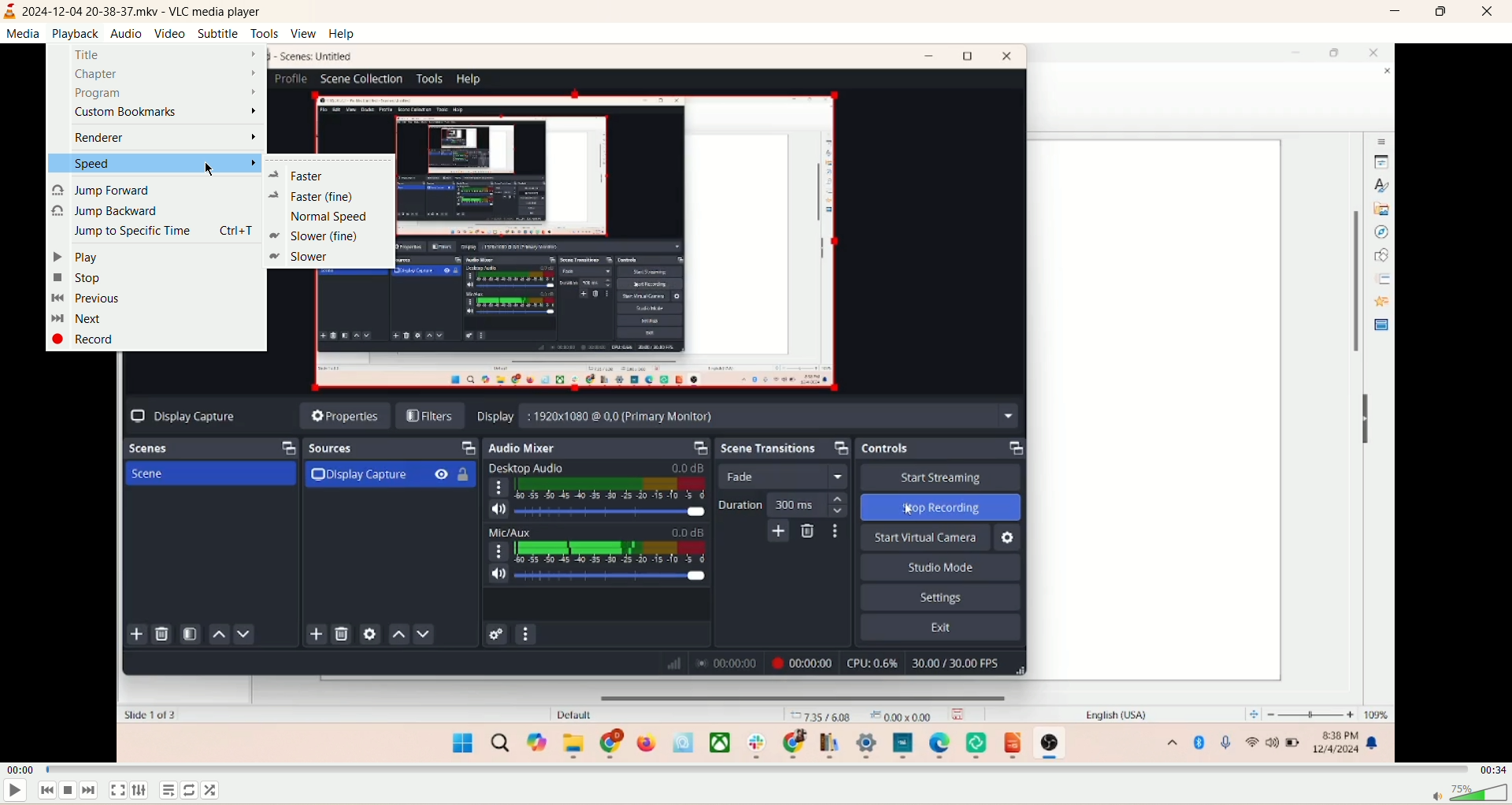 The height and width of the screenshot is (805, 1512). Describe the element at coordinates (112, 211) in the screenshot. I see `jump backward` at that location.